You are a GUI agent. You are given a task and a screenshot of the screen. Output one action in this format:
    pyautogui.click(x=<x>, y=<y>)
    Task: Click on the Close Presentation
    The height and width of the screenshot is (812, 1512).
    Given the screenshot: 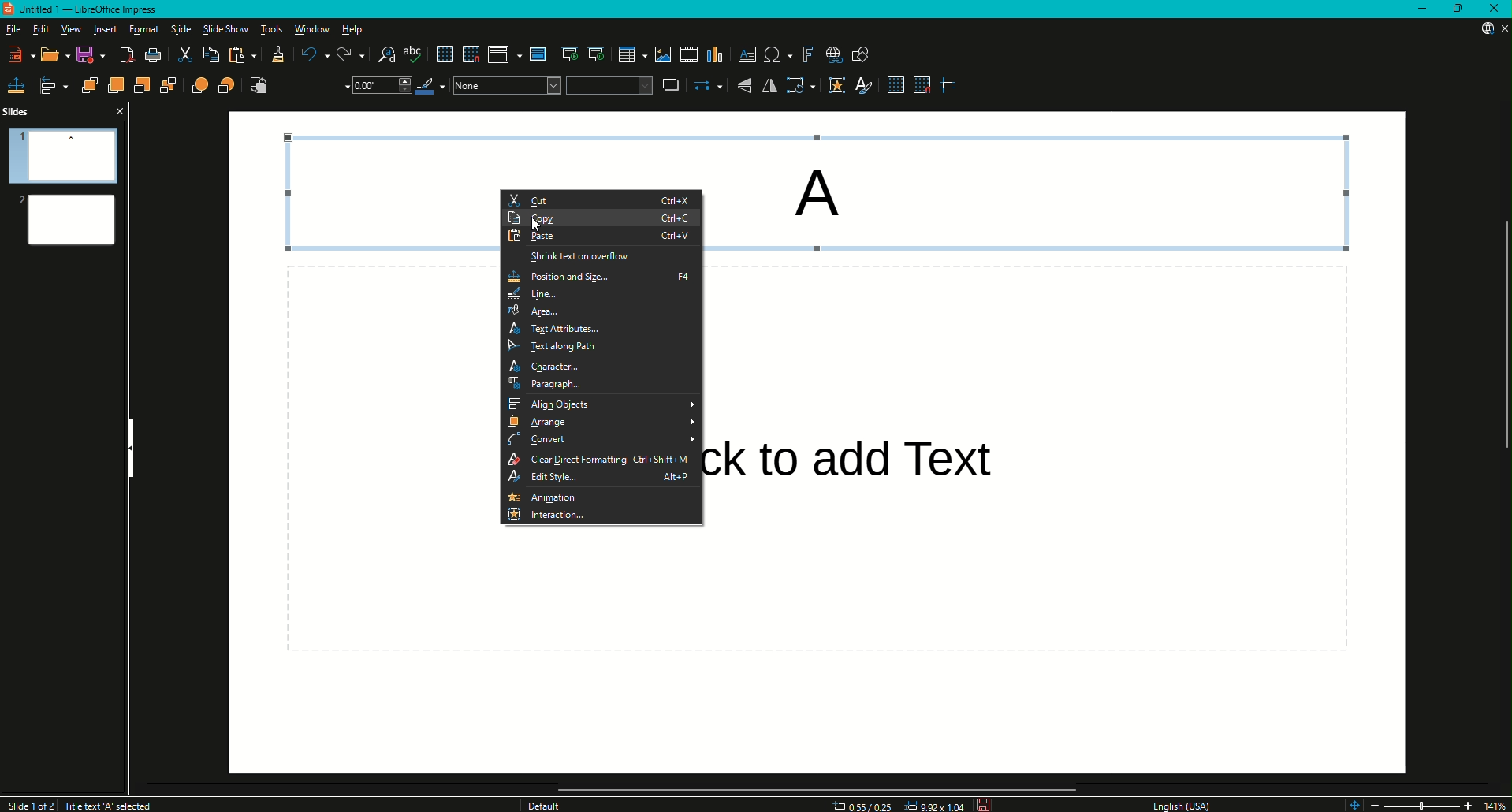 What is the action you would take?
    pyautogui.click(x=1501, y=28)
    